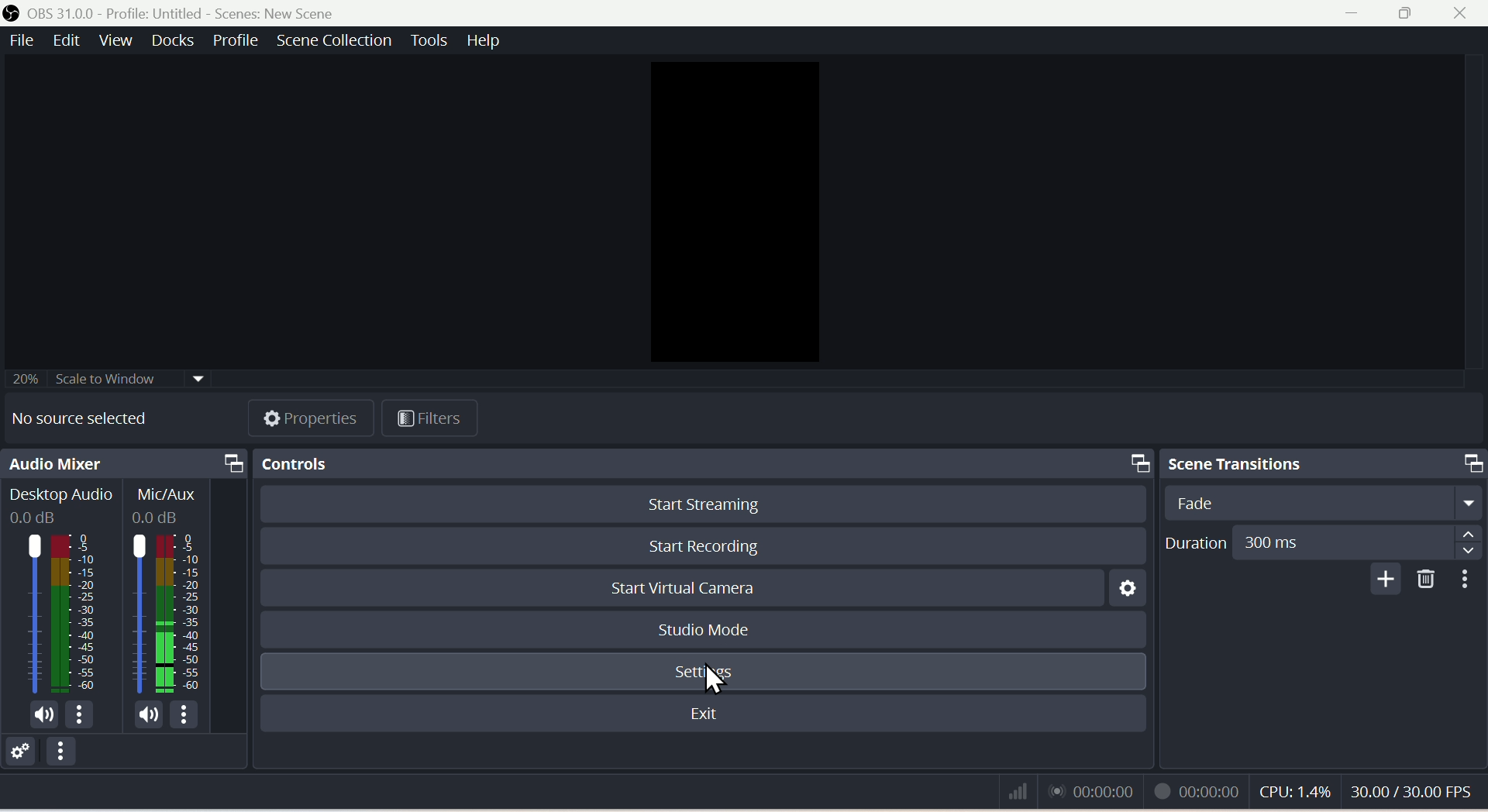 This screenshot has width=1488, height=812. I want to click on Scene collection, so click(336, 40).